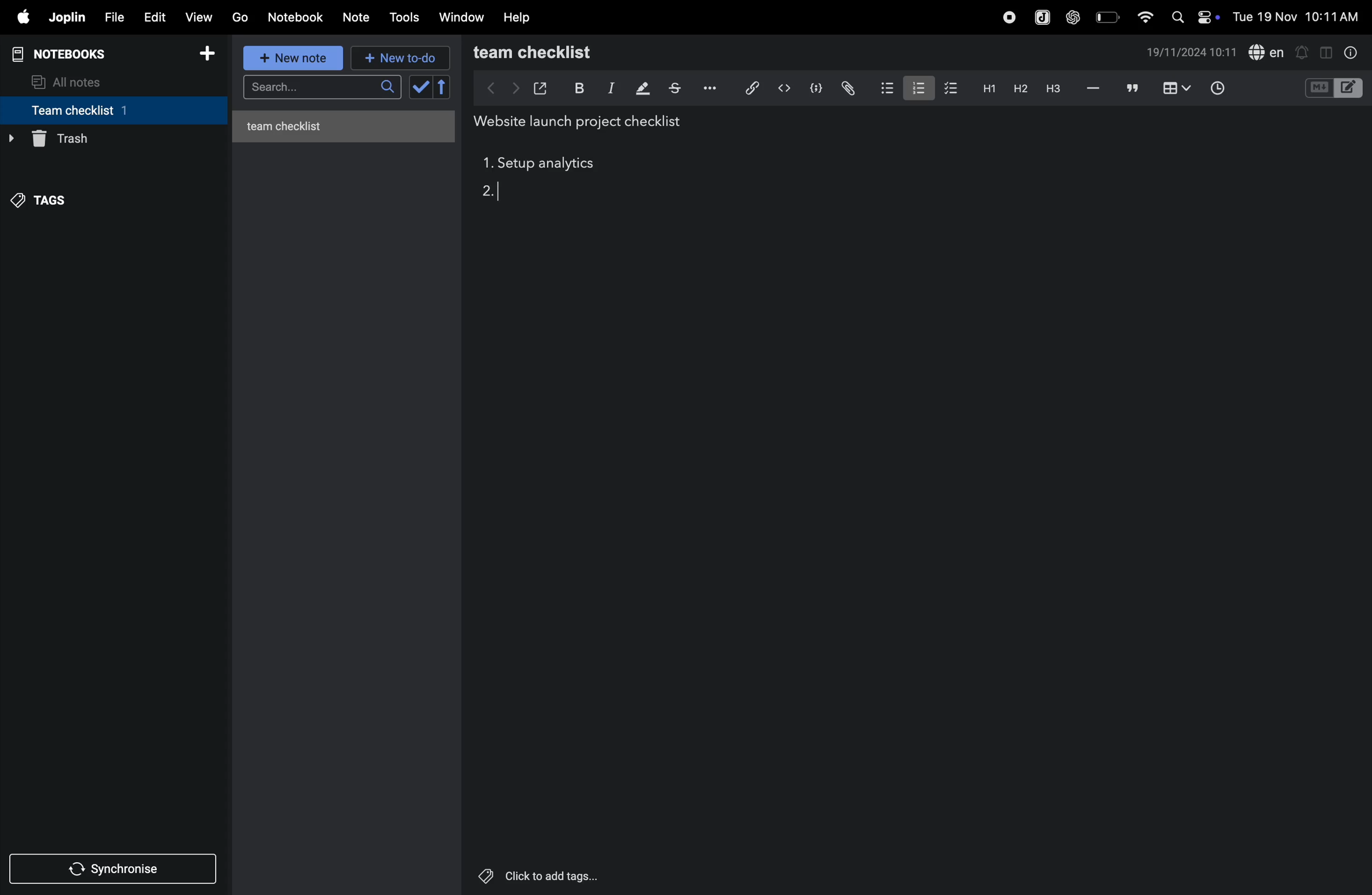 This screenshot has width=1372, height=895. What do you see at coordinates (487, 165) in the screenshot?
I see `task 1` at bounding box center [487, 165].